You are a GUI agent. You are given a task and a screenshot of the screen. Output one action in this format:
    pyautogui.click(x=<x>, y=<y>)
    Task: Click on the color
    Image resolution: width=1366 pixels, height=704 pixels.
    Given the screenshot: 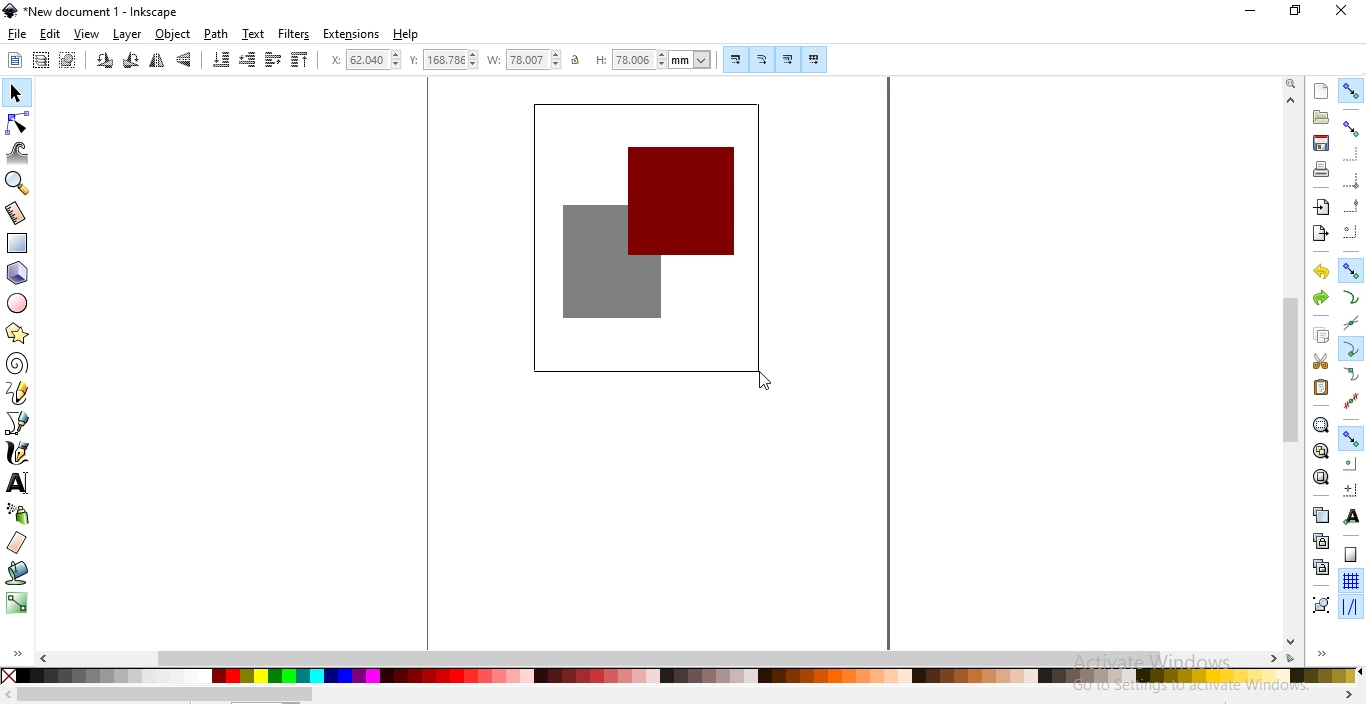 What is the action you would take?
    pyautogui.click(x=679, y=675)
    